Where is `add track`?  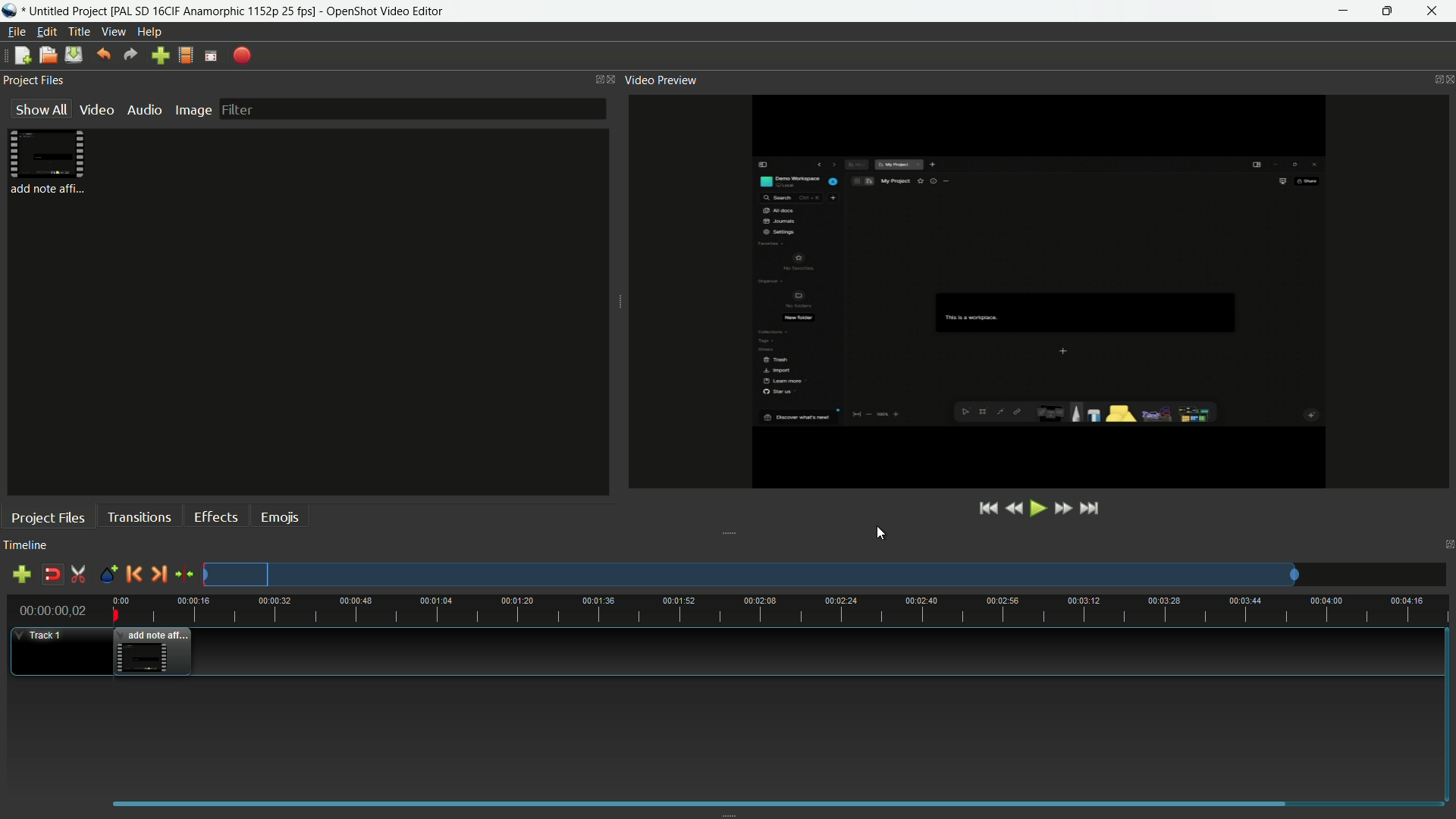
add track is located at coordinates (19, 575).